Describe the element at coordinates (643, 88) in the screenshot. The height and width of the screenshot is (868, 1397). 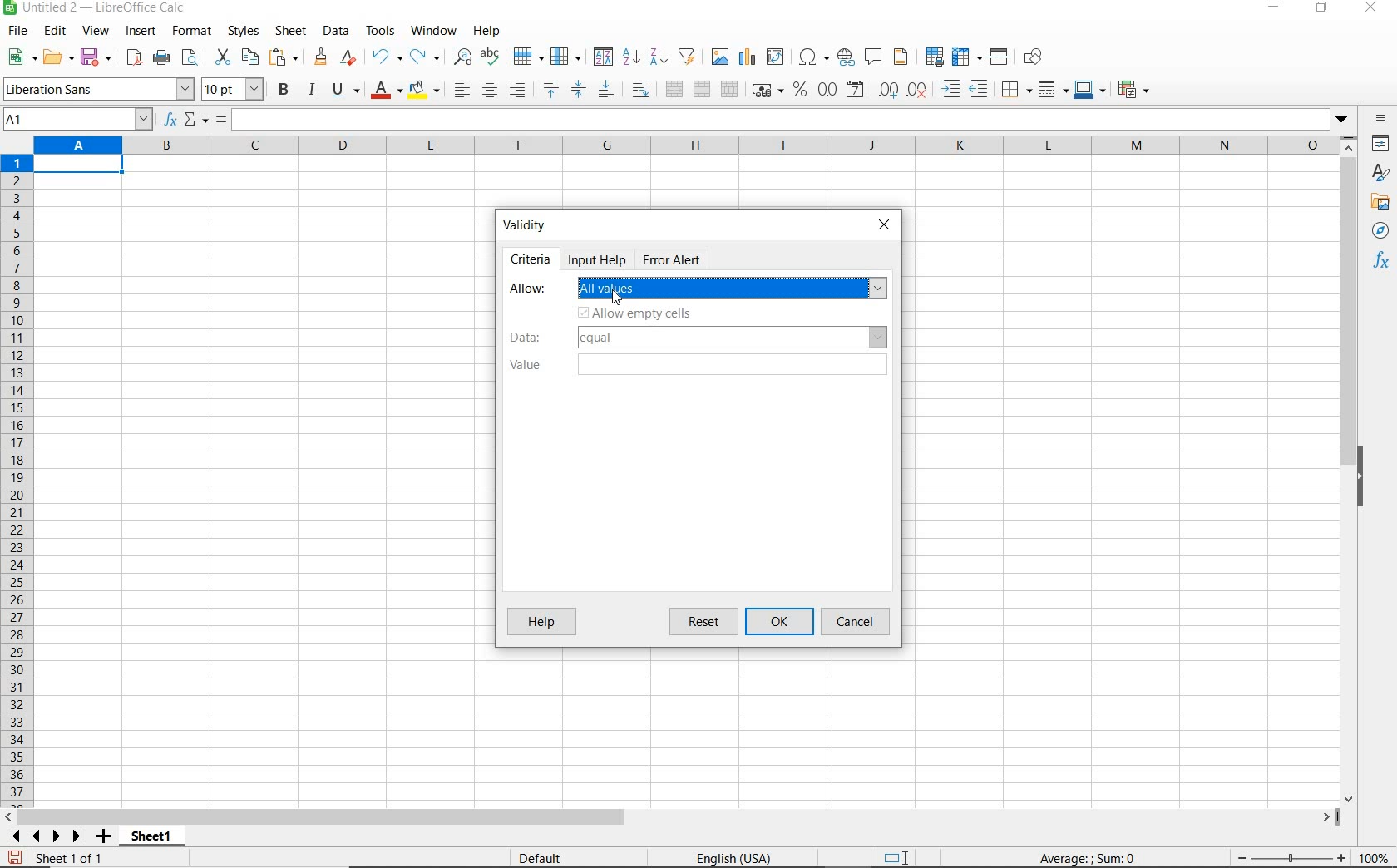
I see `wrap text` at that location.